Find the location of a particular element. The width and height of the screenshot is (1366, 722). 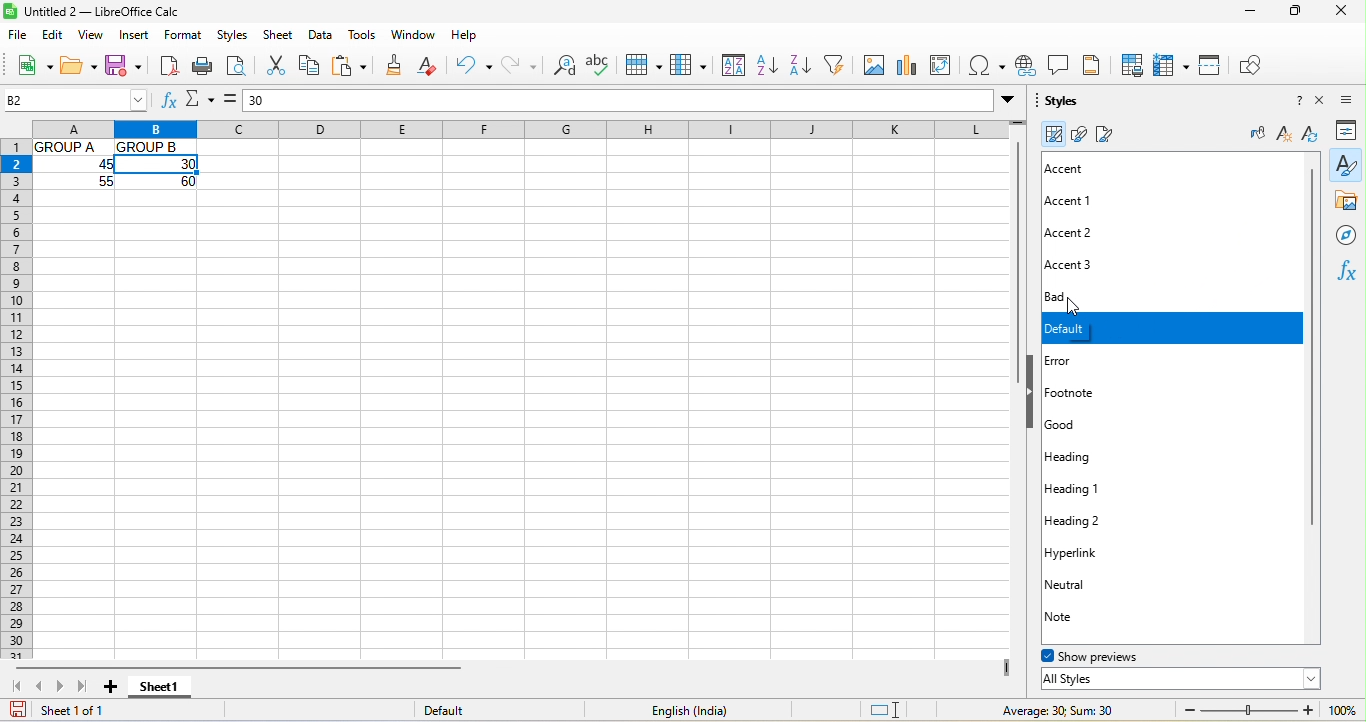

Group B is located at coordinates (154, 145).